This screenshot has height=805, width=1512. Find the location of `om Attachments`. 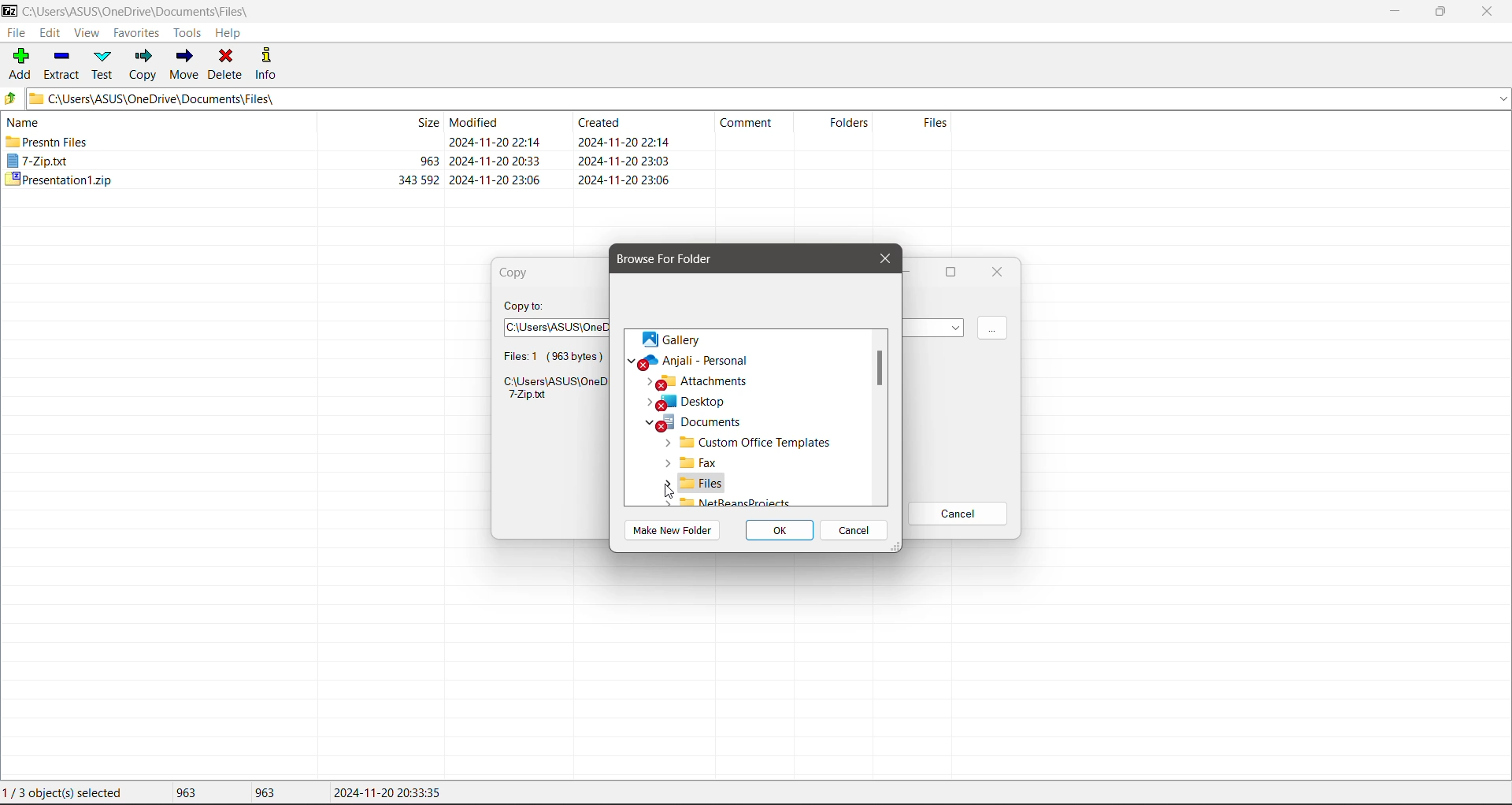

om Attachments is located at coordinates (703, 381).